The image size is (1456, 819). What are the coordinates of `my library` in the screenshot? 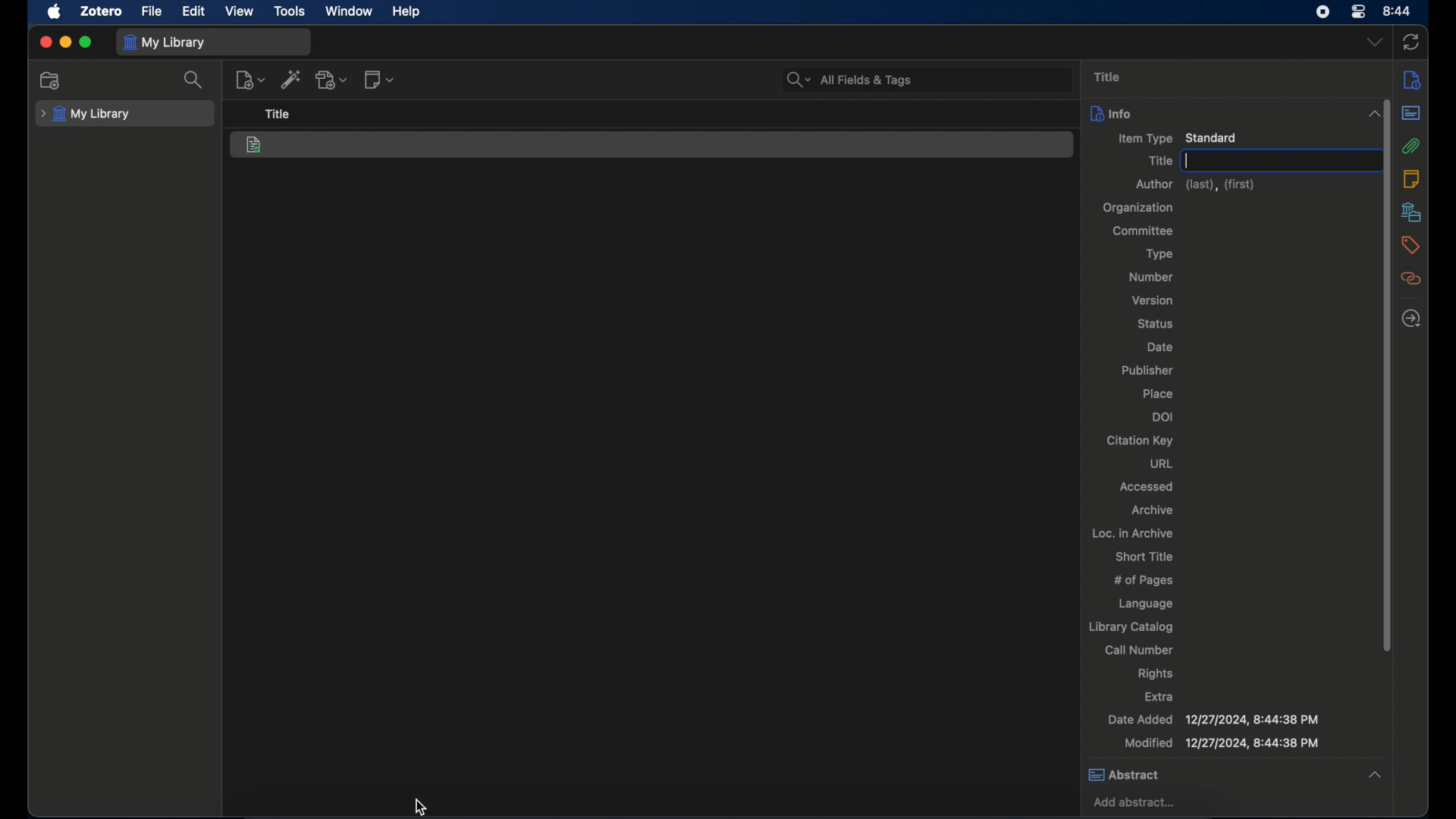 It's located at (165, 42).